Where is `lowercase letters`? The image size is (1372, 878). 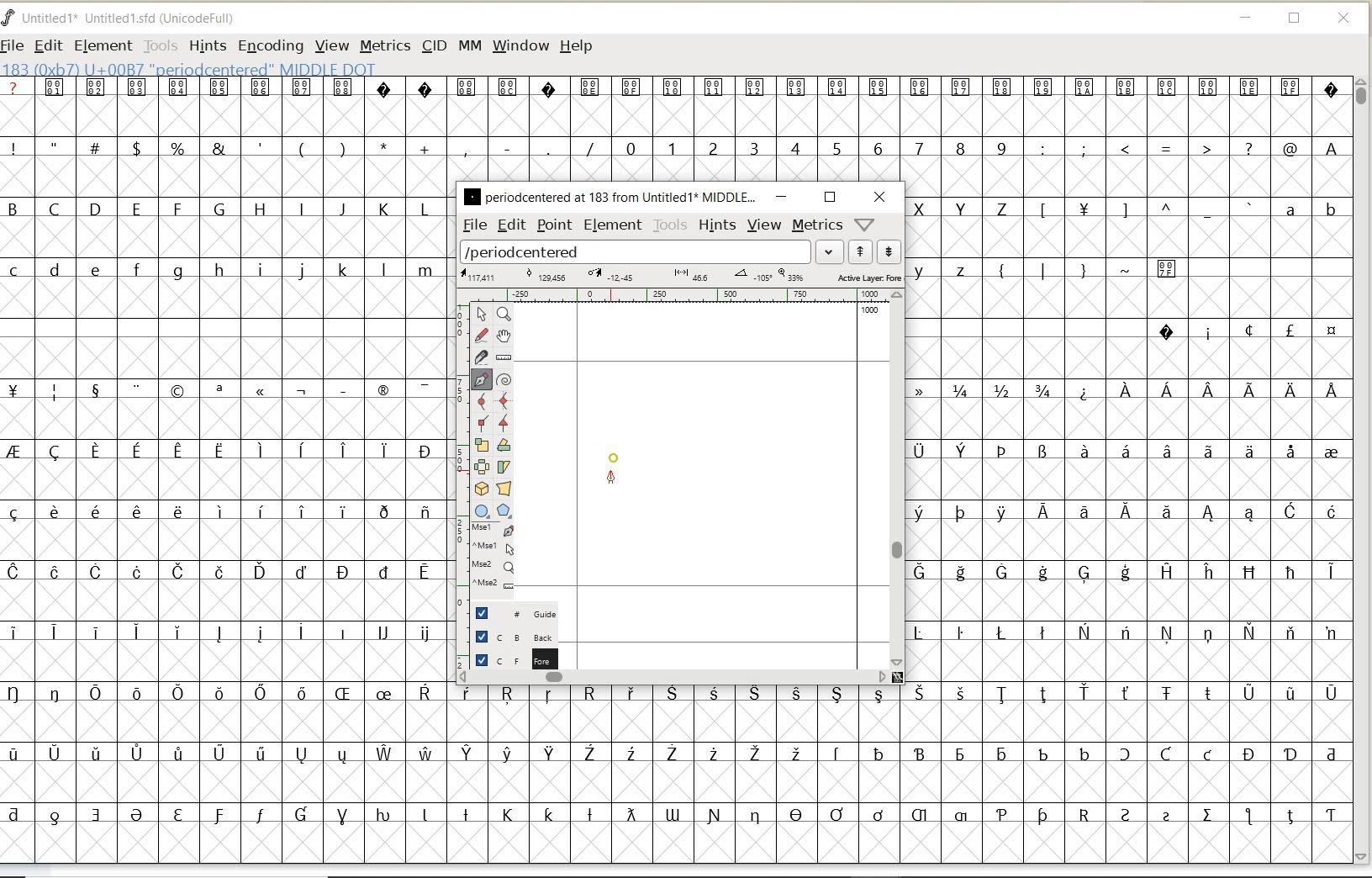
lowercase letters is located at coordinates (1310, 213).